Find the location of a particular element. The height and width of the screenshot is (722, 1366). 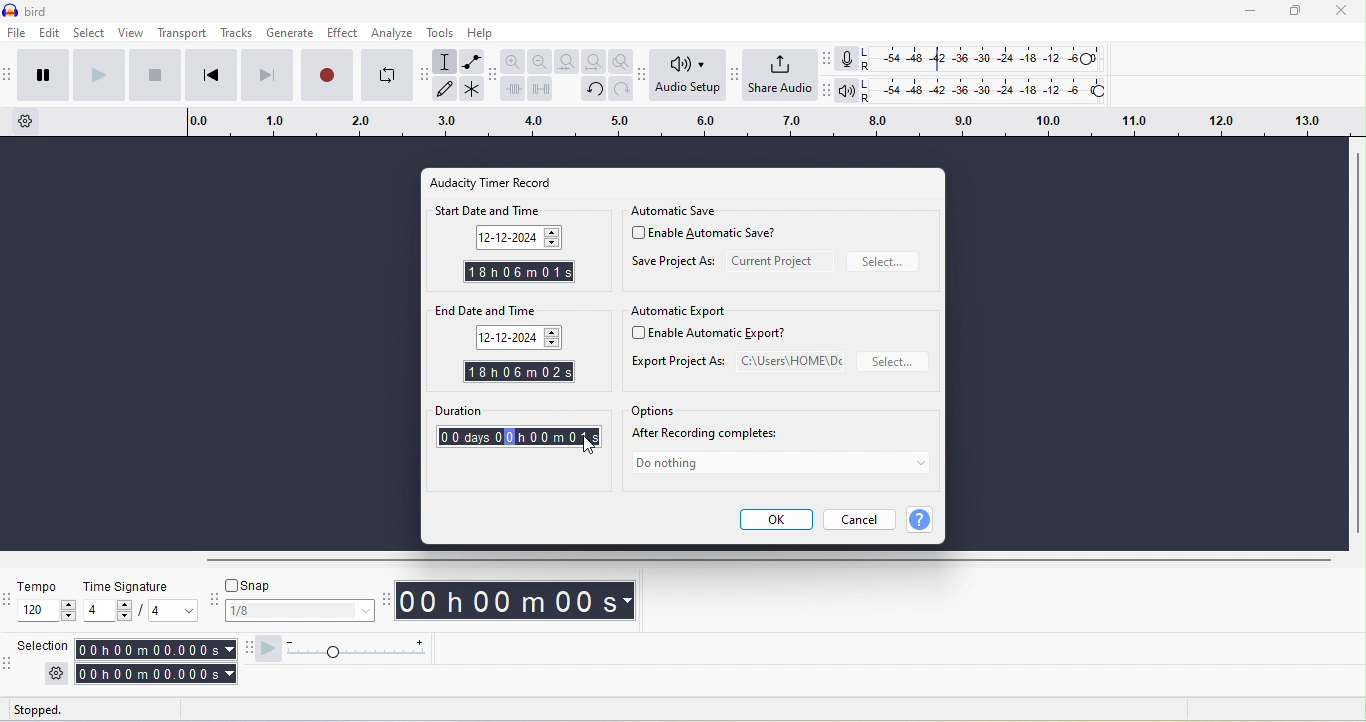

audacity edit toolbar is located at coordinates (494, 75).